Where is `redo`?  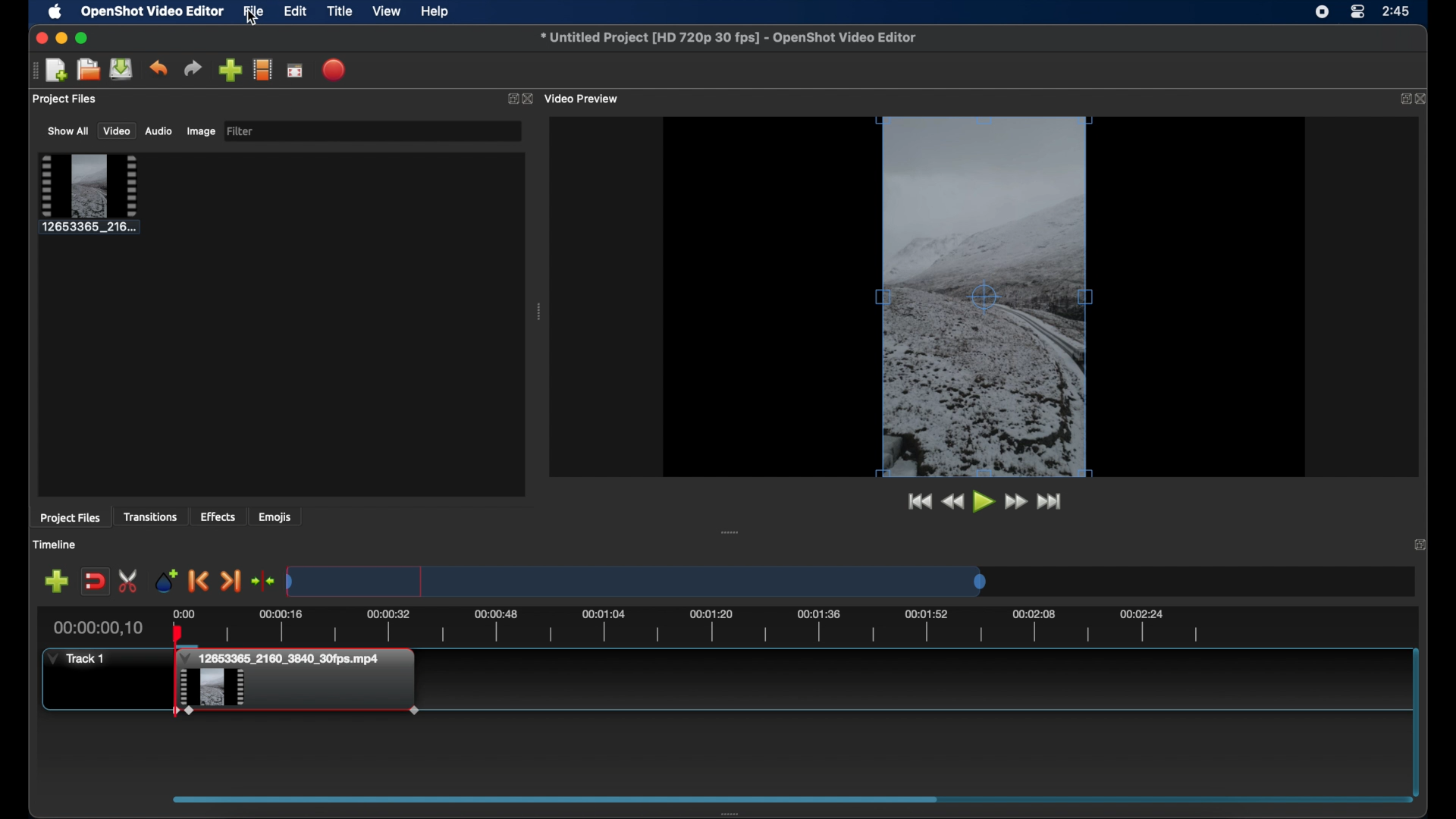 redo is located at coordinates (193, 67).